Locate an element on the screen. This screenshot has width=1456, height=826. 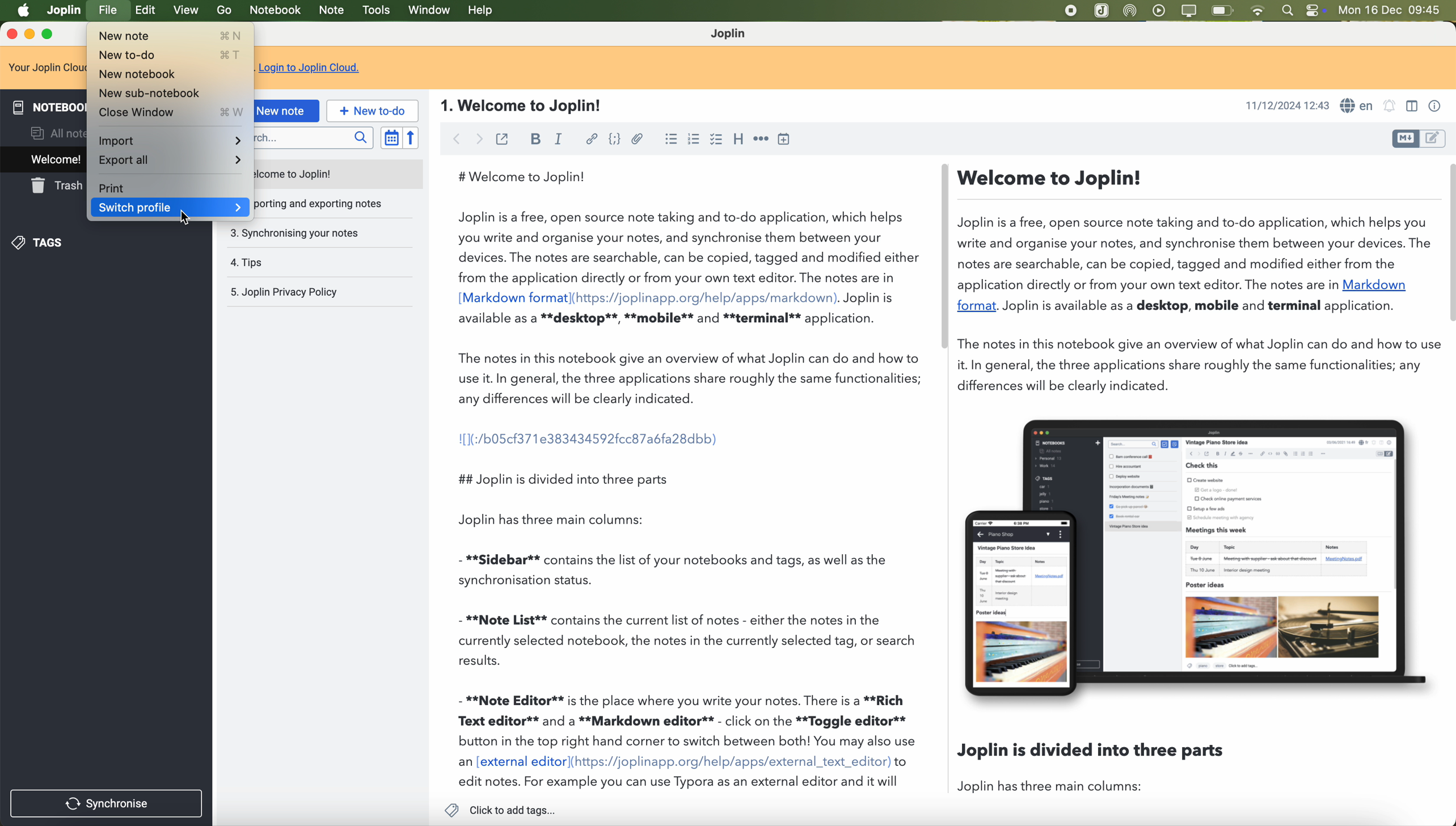
New sub-notebook is located at coordinates (170, 92).